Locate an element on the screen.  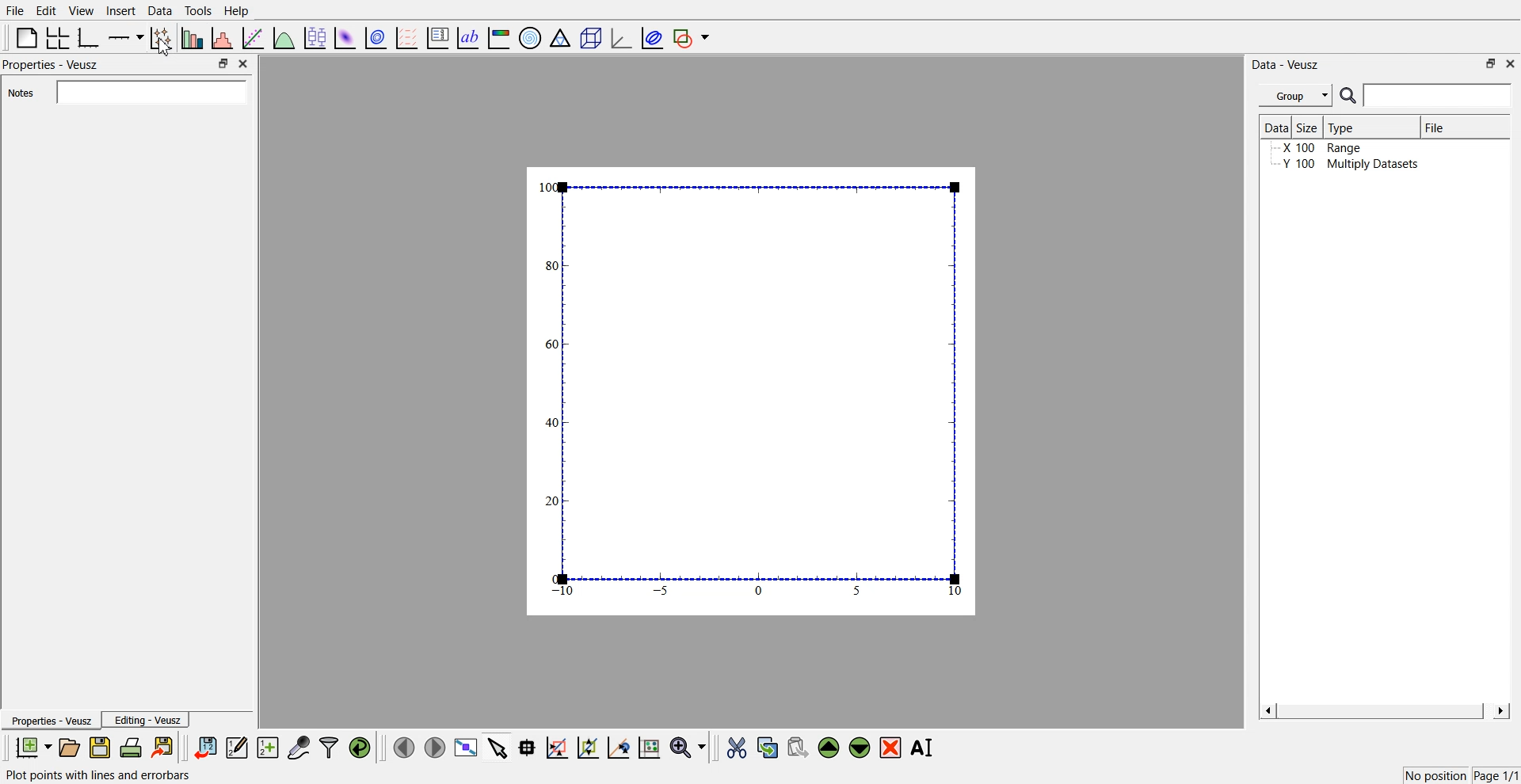
graphs charts is located at coordinates (752, 390).